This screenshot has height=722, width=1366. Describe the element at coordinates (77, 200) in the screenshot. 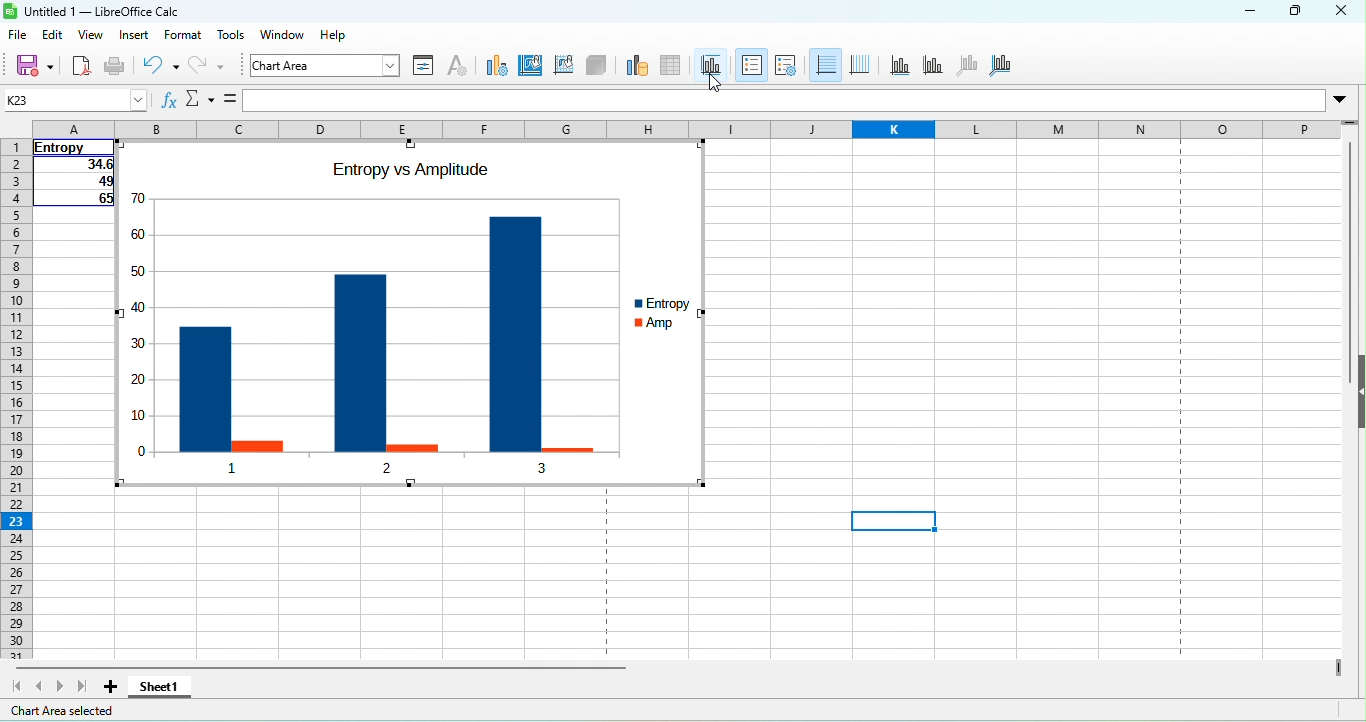

I see `65` at that location.